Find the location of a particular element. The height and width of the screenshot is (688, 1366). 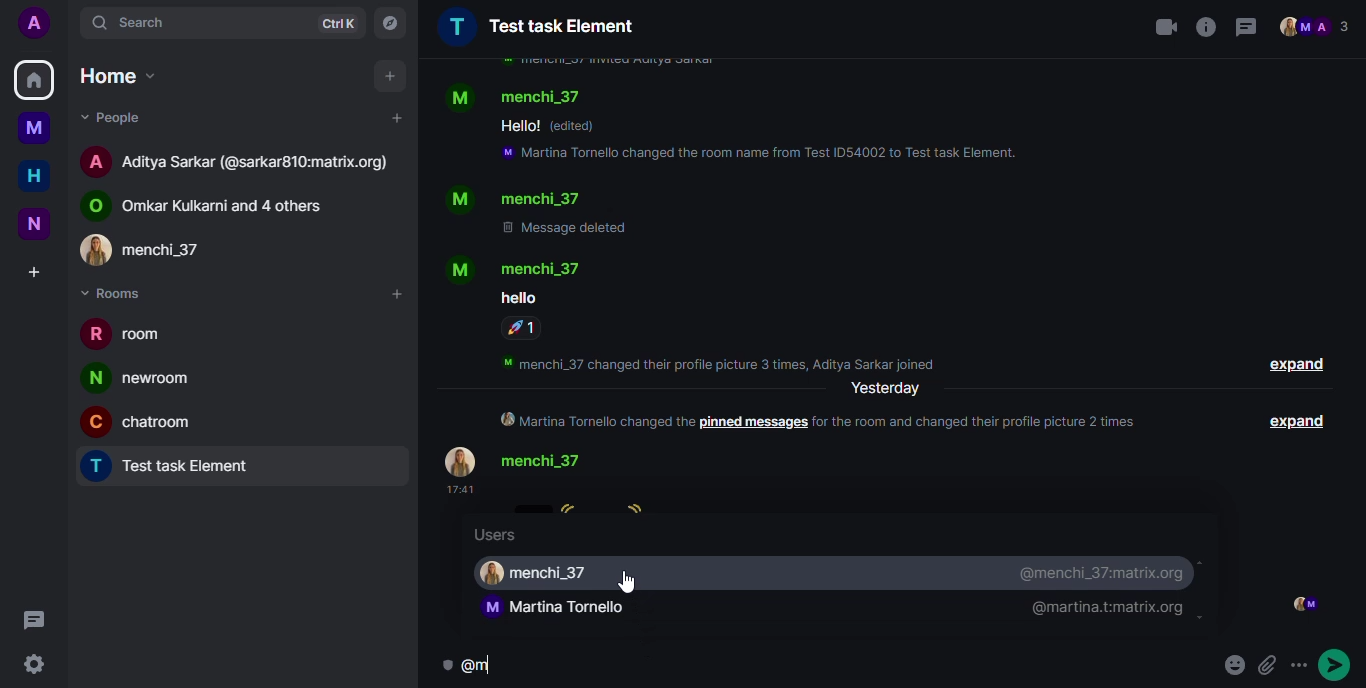

contact is located at coordinates (518, 268).